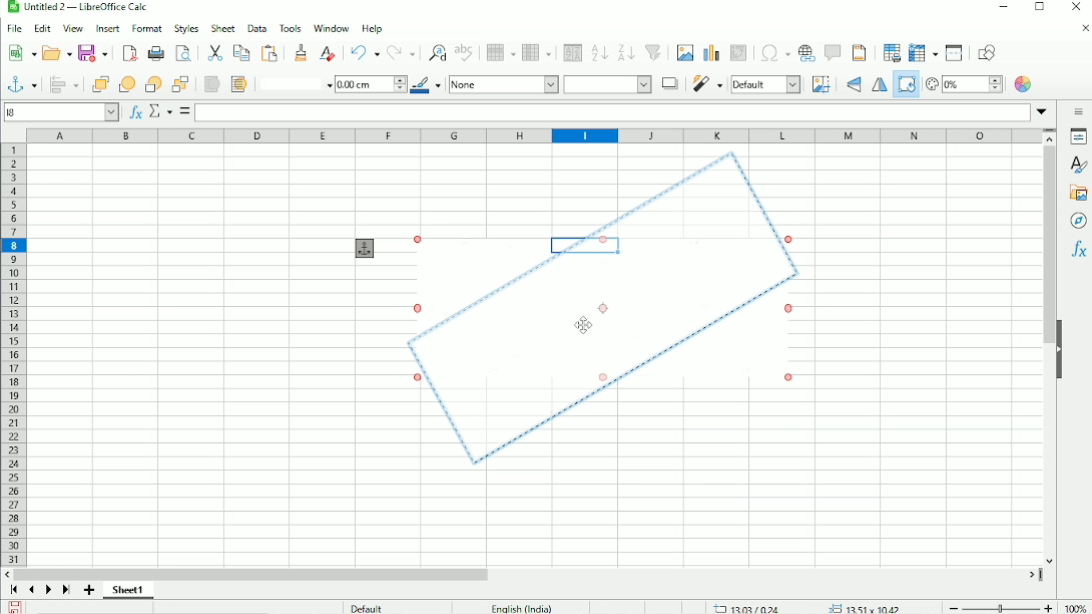  What do you see at coordinates (499, 53) in the screenshot?
I see `Row` at bounding box center [499, 53].